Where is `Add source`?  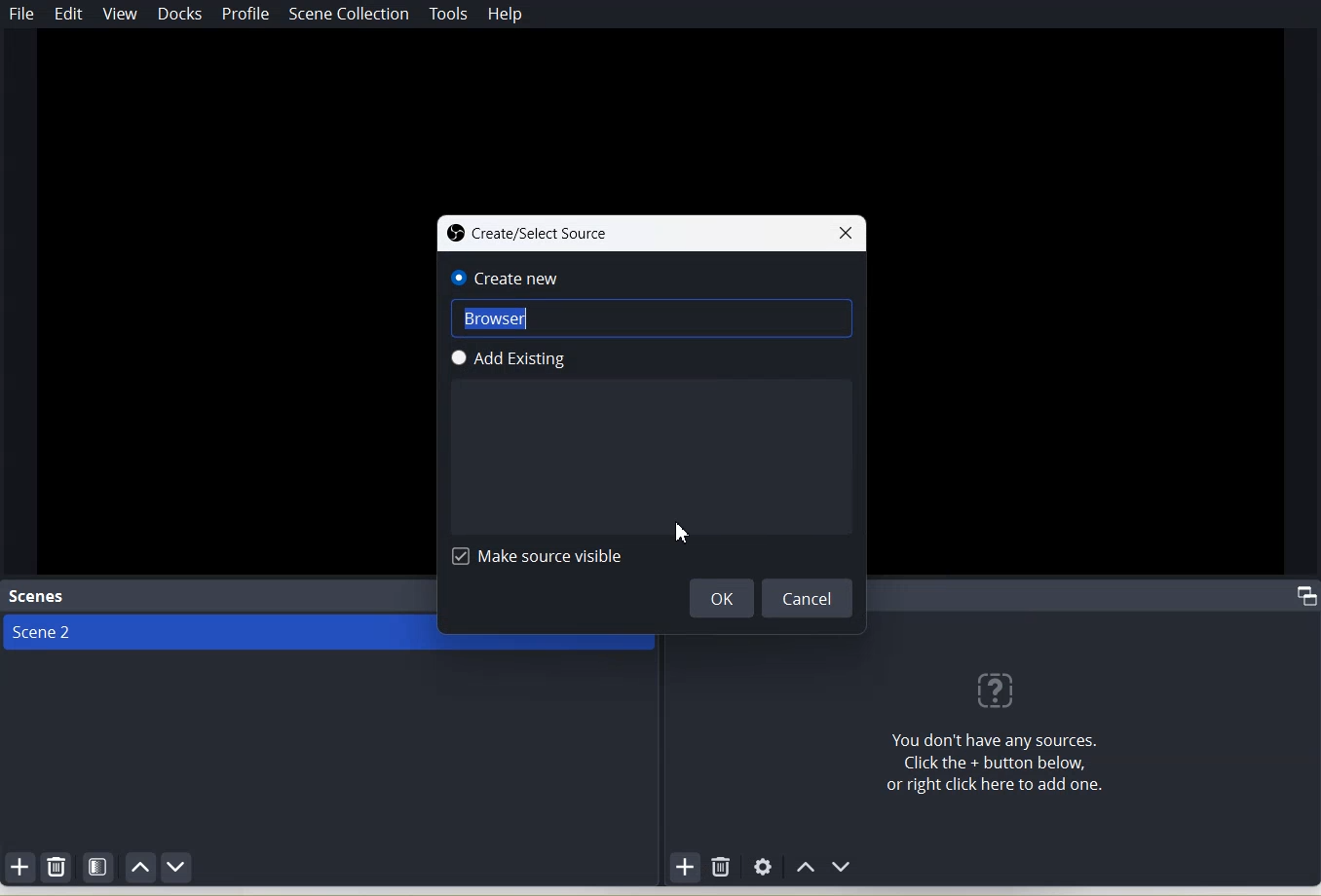 Add source is located at coordinates (686, 868).